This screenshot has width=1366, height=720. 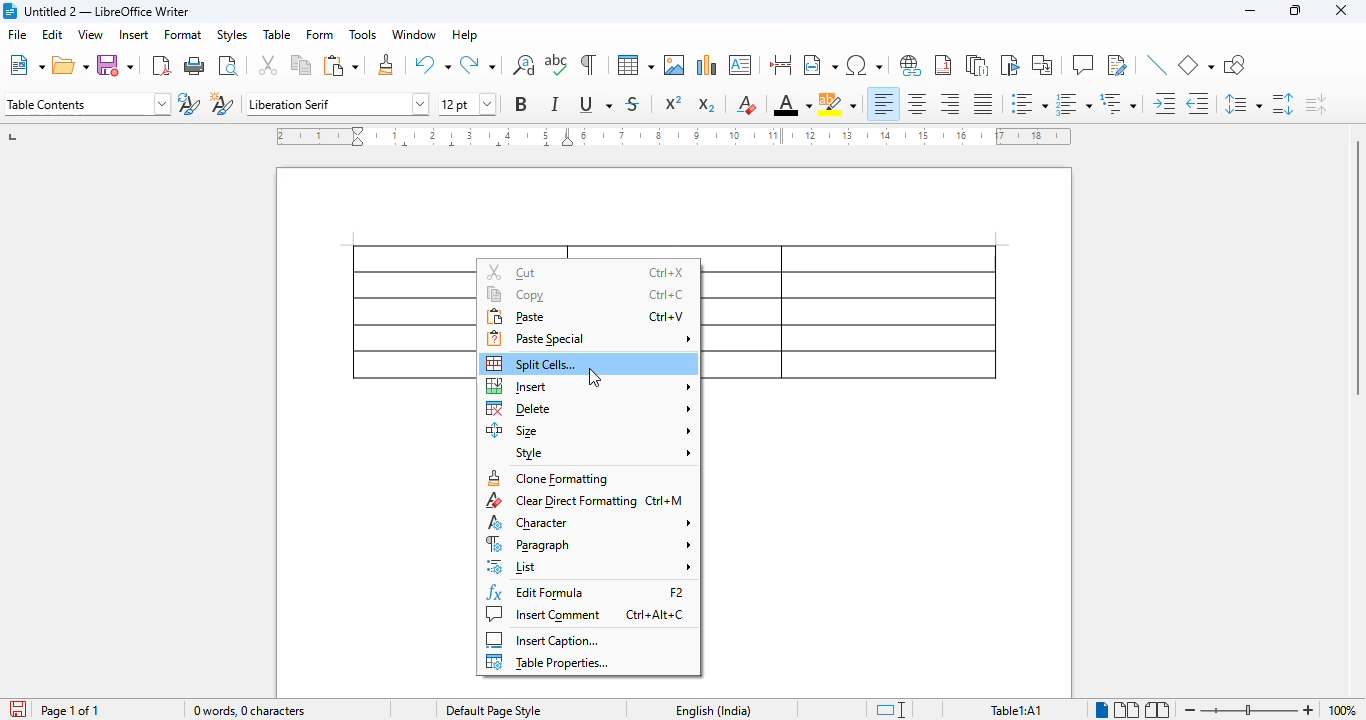 What do you see at coordinates (983, 103) in the screenshot?
I see `justified` at bounding box center [983, 103].